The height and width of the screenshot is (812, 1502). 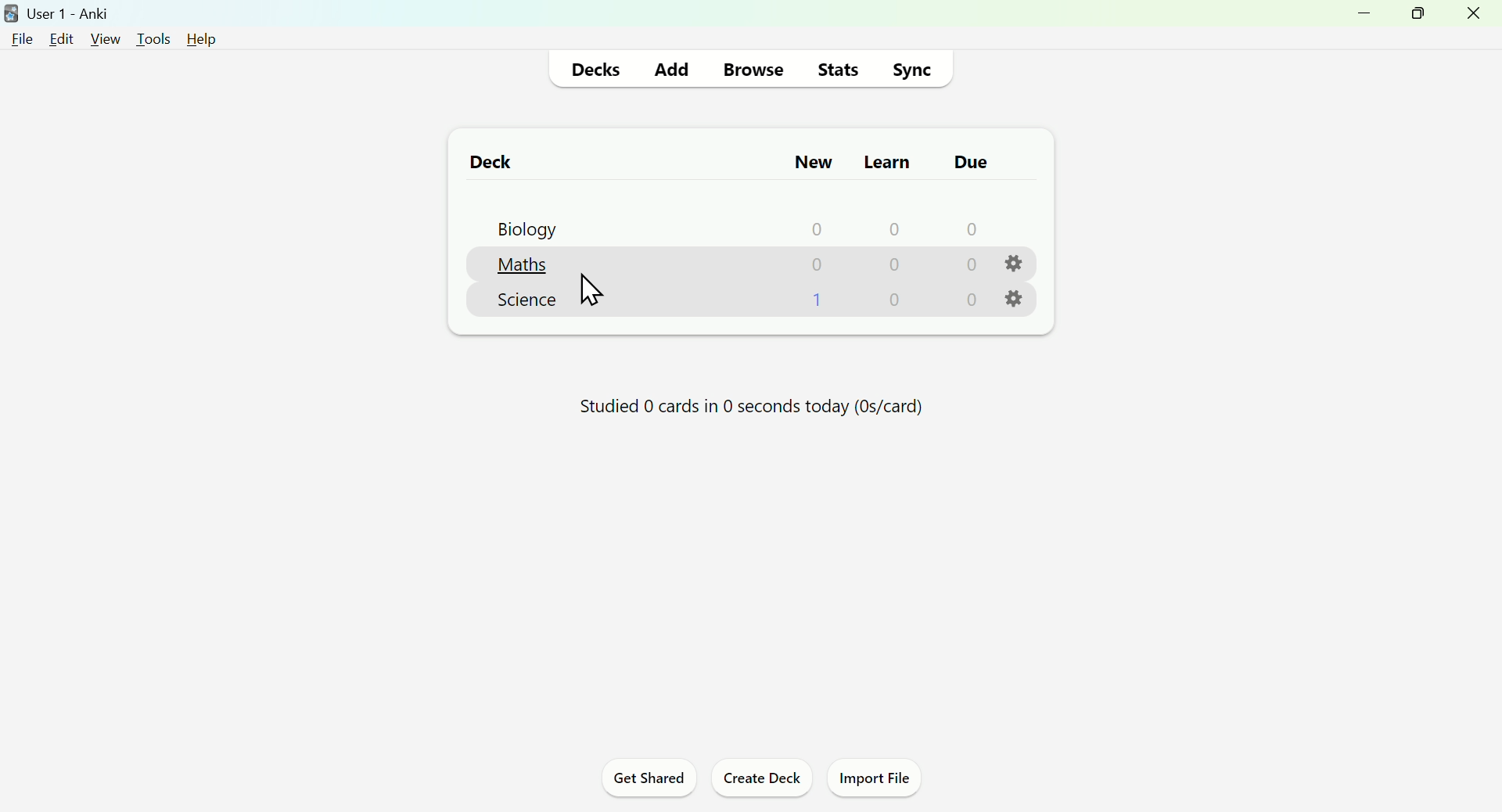 What do you see at coordinates (886, 158) in the screenshot?
I see `Learn` at bounding box center [886, 158].